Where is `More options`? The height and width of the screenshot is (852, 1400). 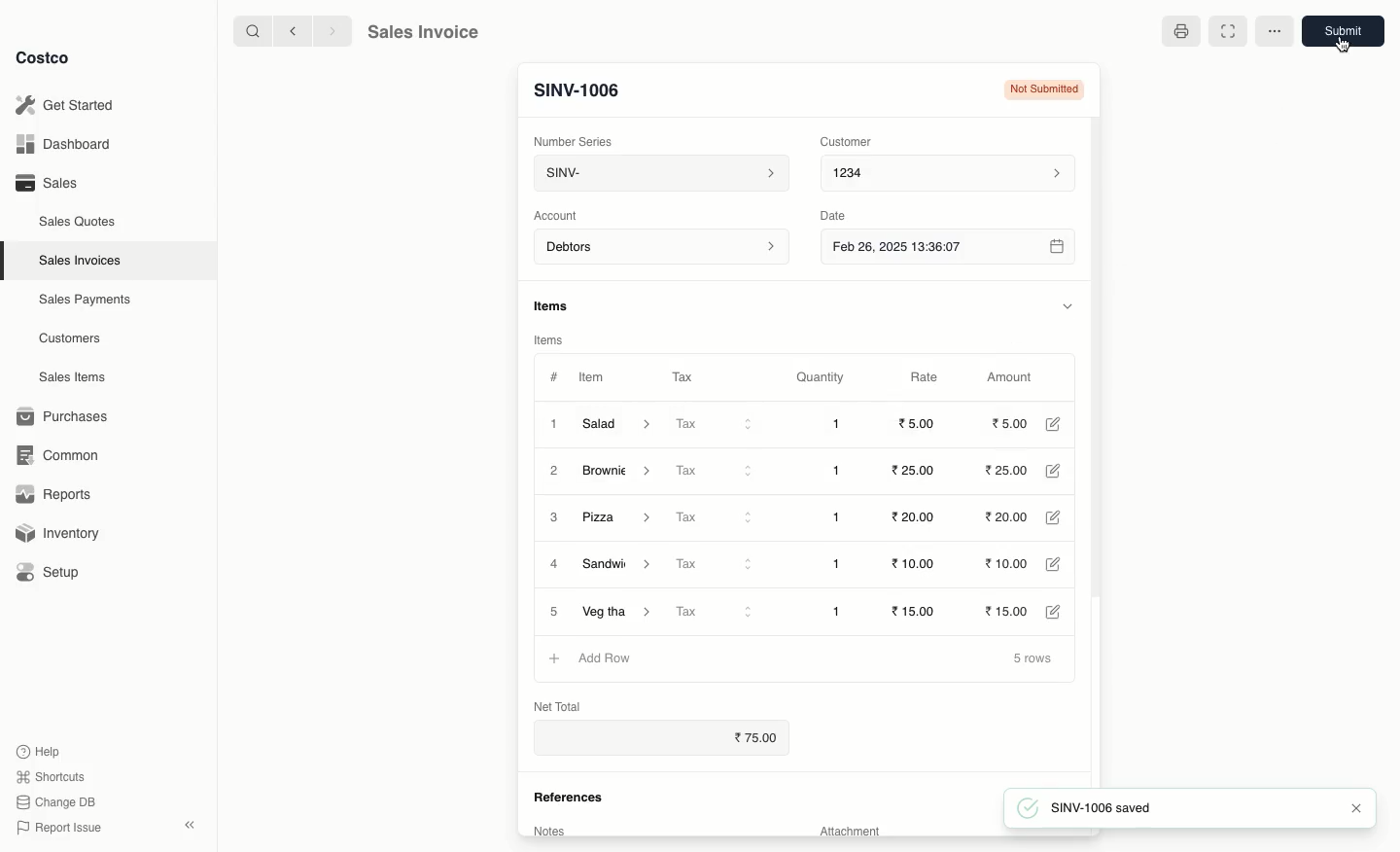
More options is located at coordinates (1278, 32).